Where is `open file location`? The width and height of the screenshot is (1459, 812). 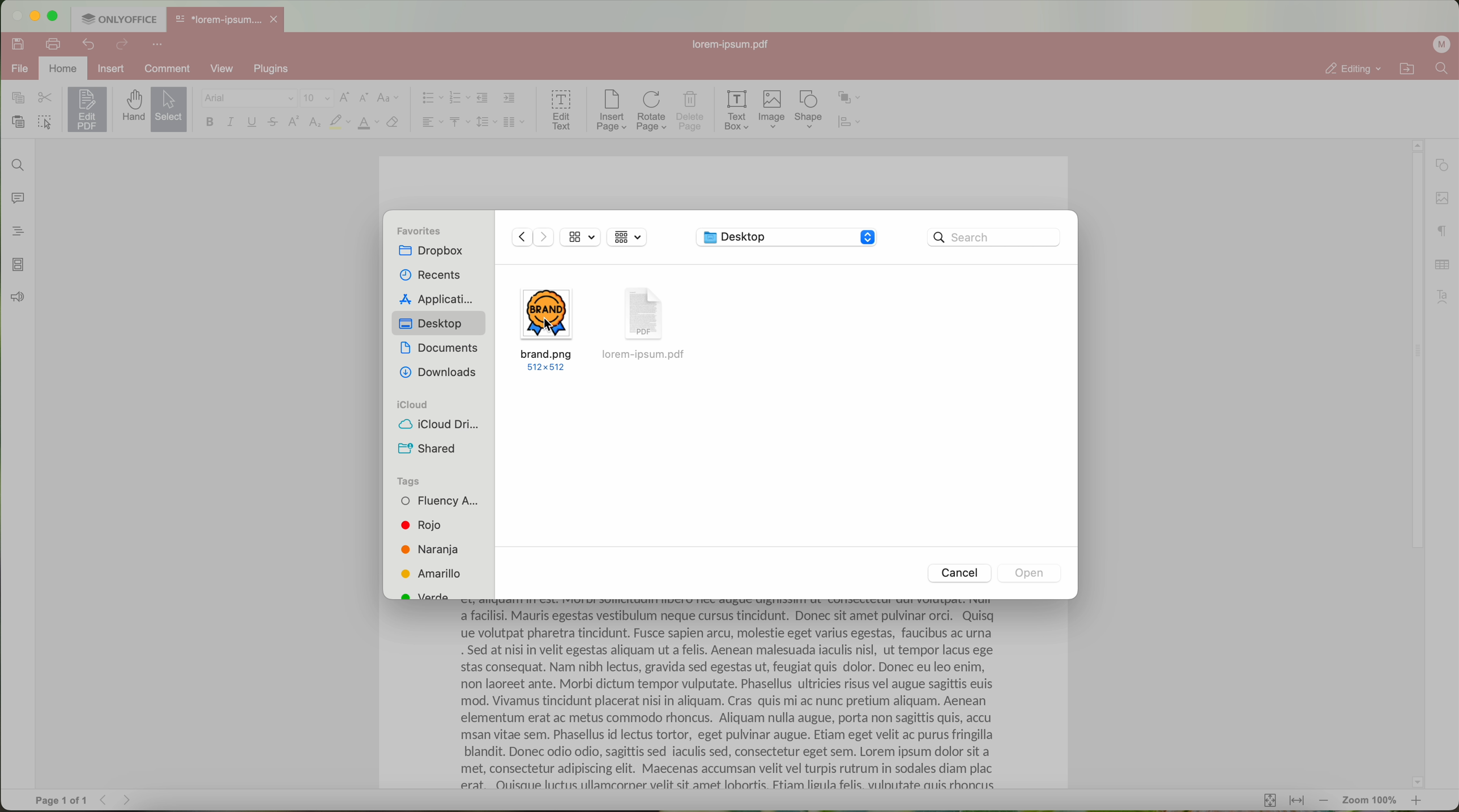 open file location is located at coordinates (1410, 69).